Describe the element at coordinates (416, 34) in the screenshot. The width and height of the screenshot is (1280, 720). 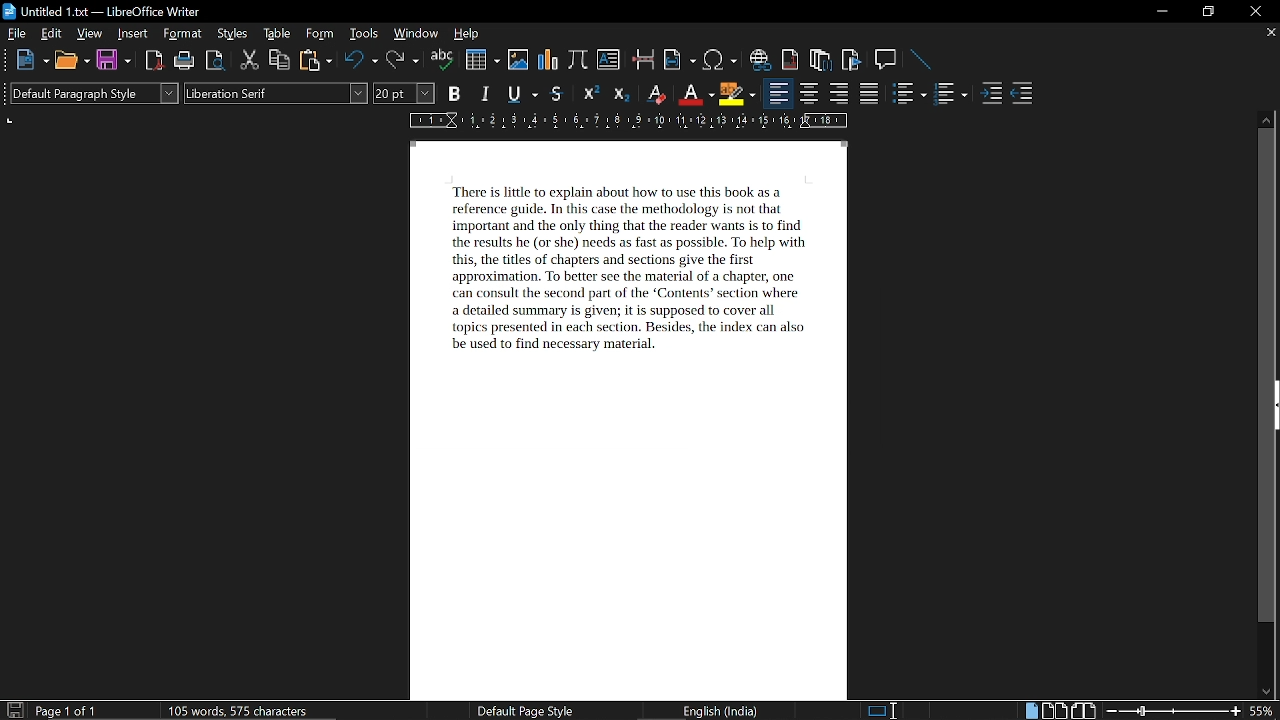
I see `window` at that location.